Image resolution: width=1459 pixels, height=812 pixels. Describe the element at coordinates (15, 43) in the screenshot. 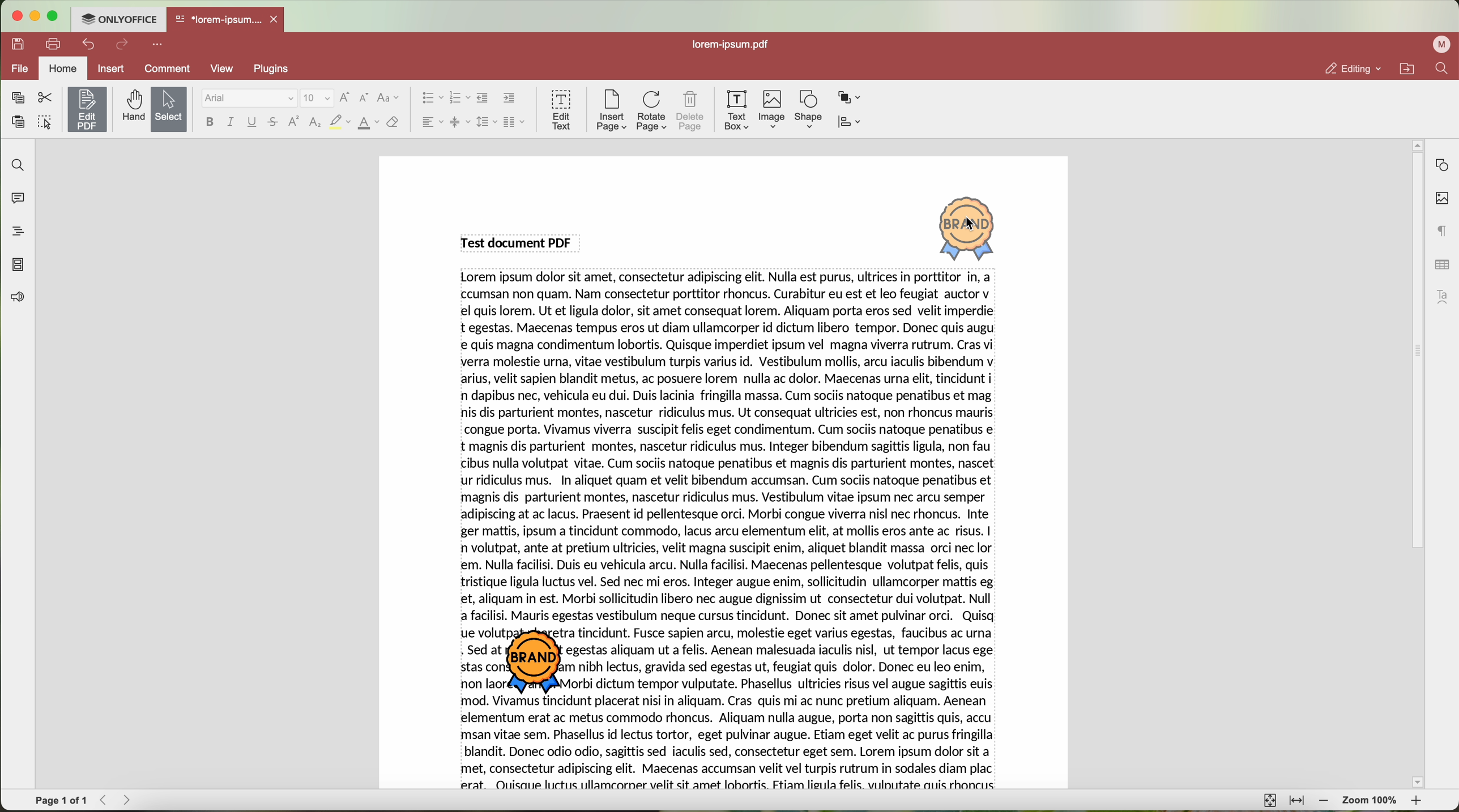

I see `save` at that location.